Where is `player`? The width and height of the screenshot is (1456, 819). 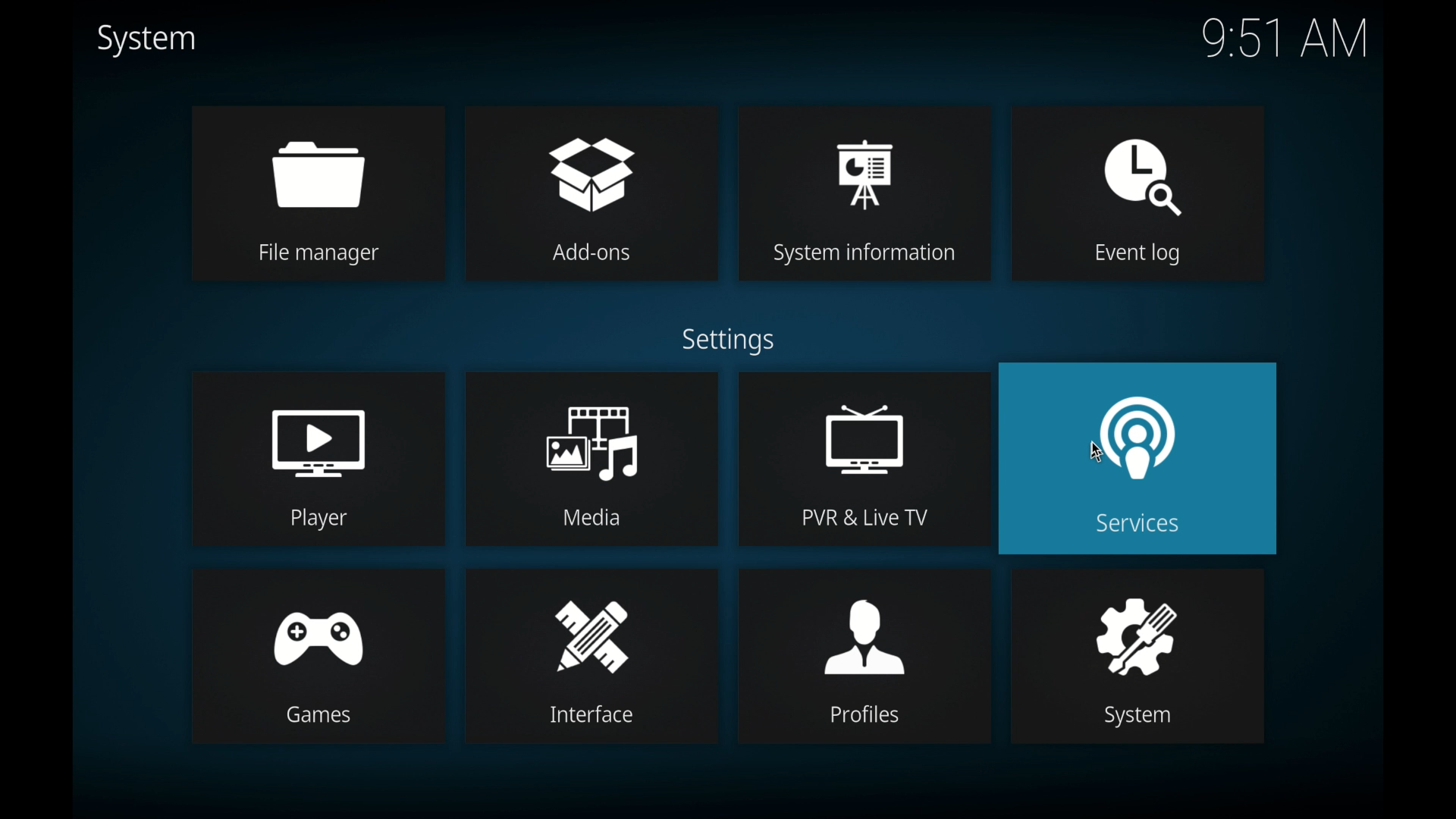
player is located at coordinates (317, 459).